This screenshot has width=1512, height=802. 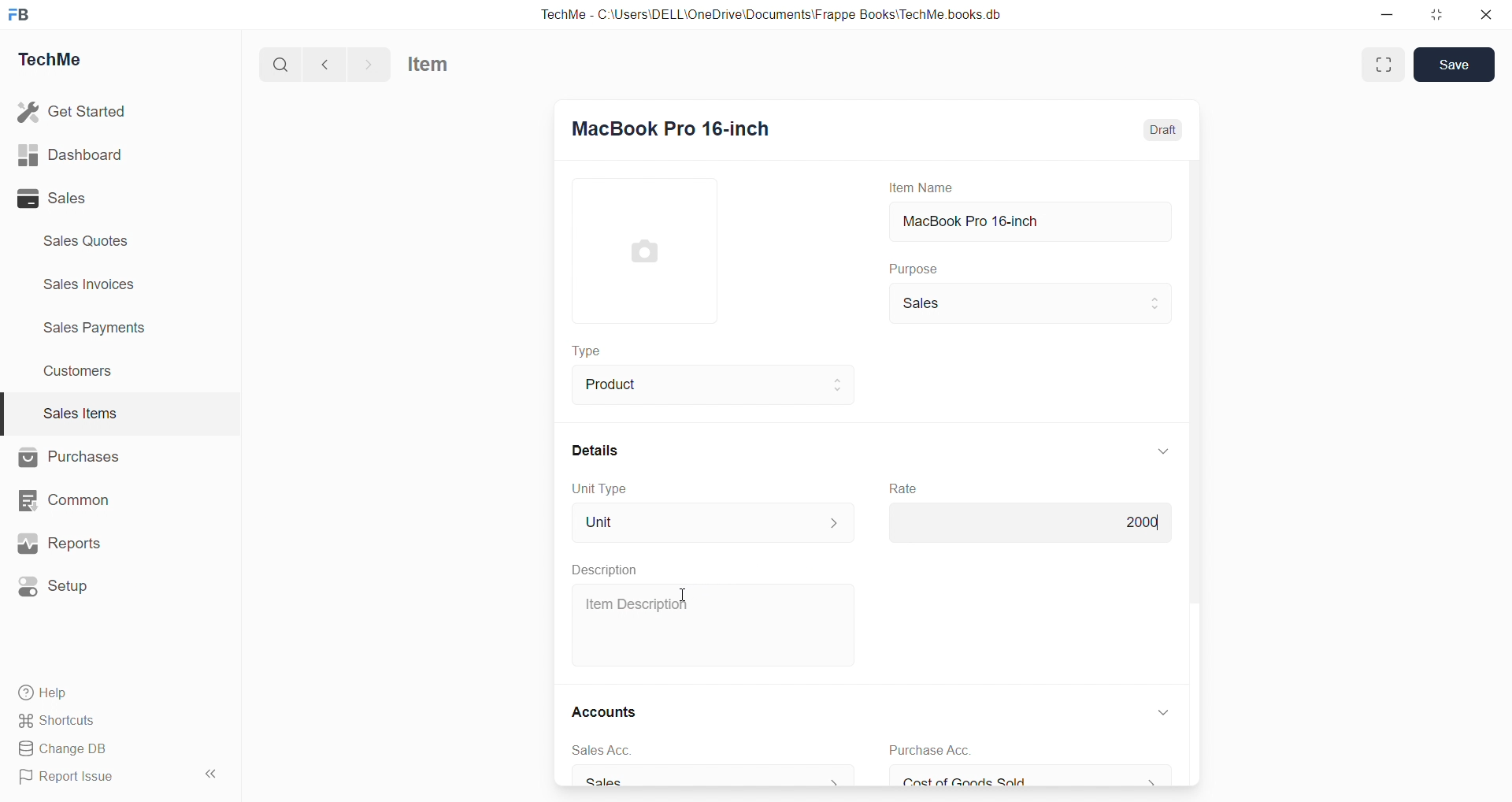 What do you see at coordinates (608, 570) in the screenshot?
I see `Description` at bounding box center [608, 570].